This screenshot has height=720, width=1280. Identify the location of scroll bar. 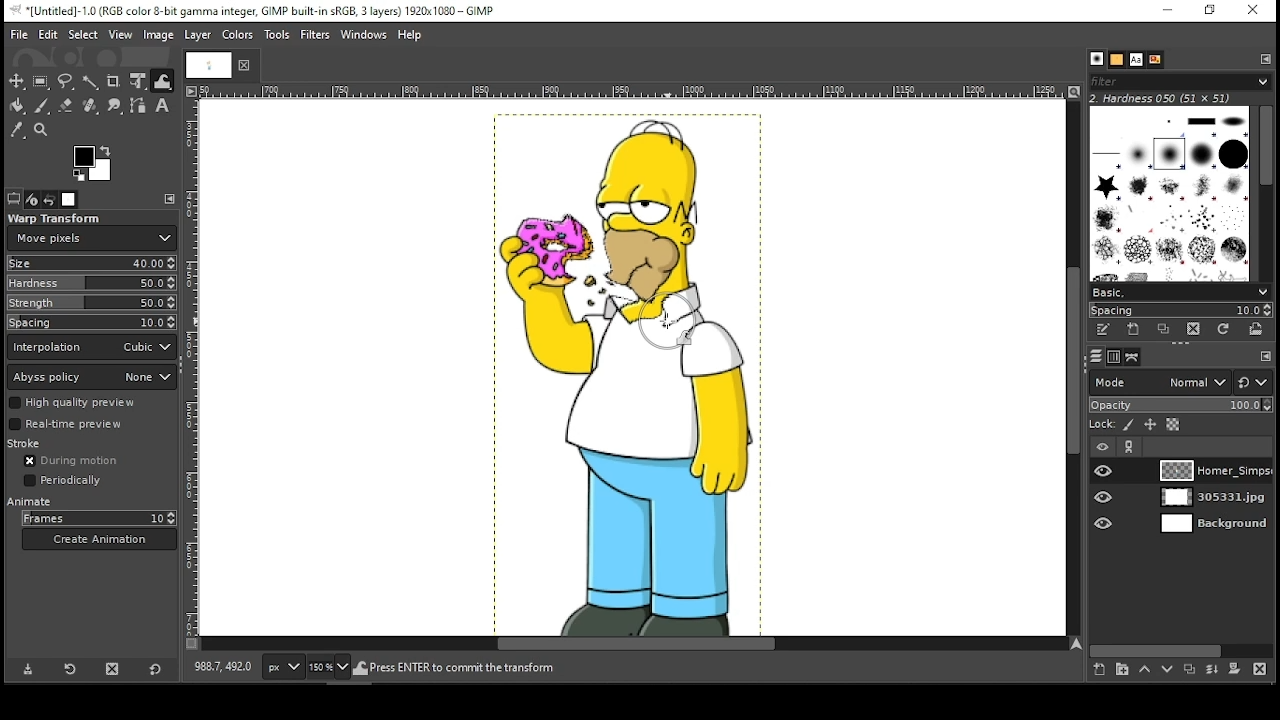
(1076, 369).